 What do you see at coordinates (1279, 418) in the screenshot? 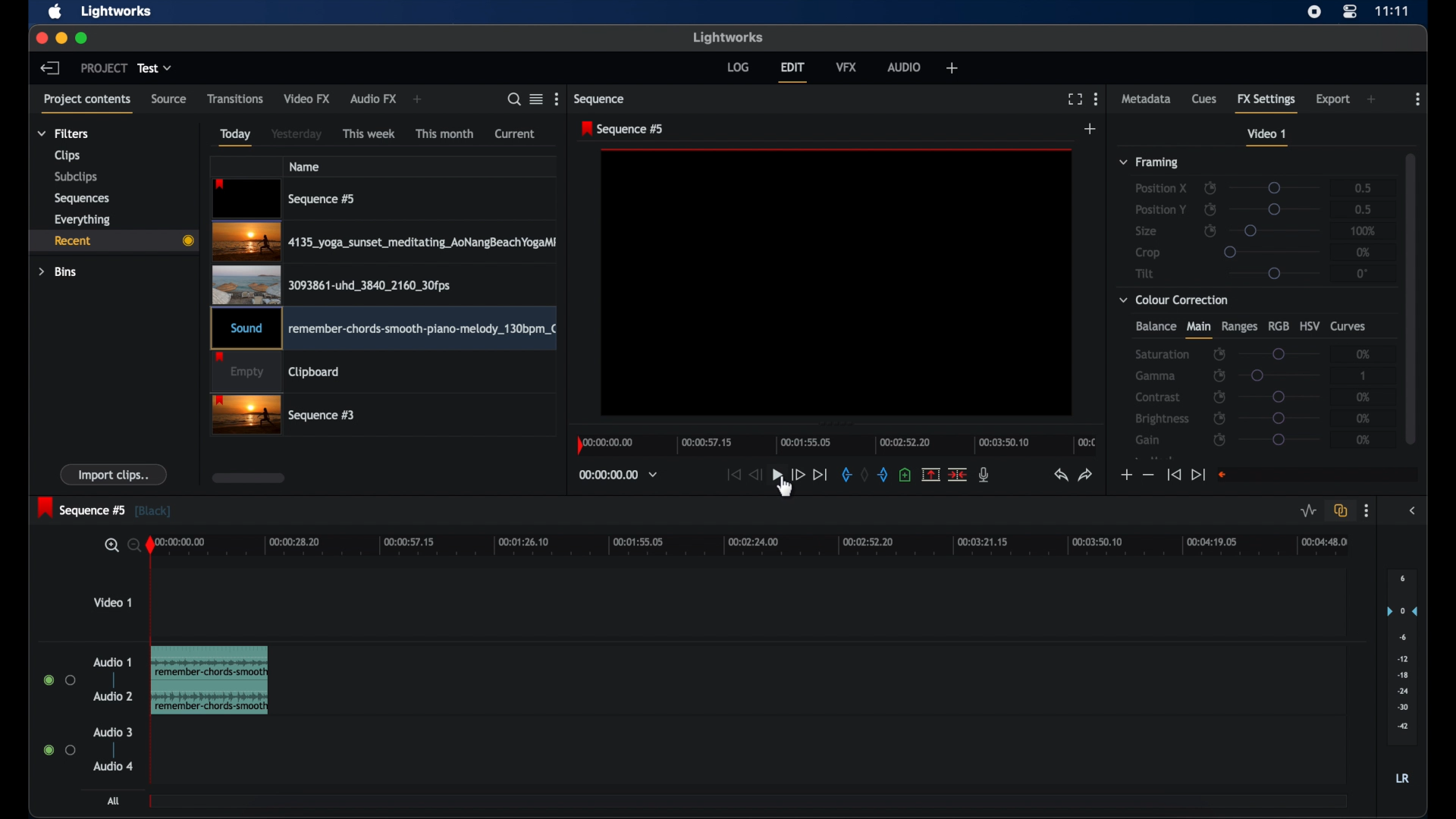
I see `slider` at bounding box center [1279, 418].